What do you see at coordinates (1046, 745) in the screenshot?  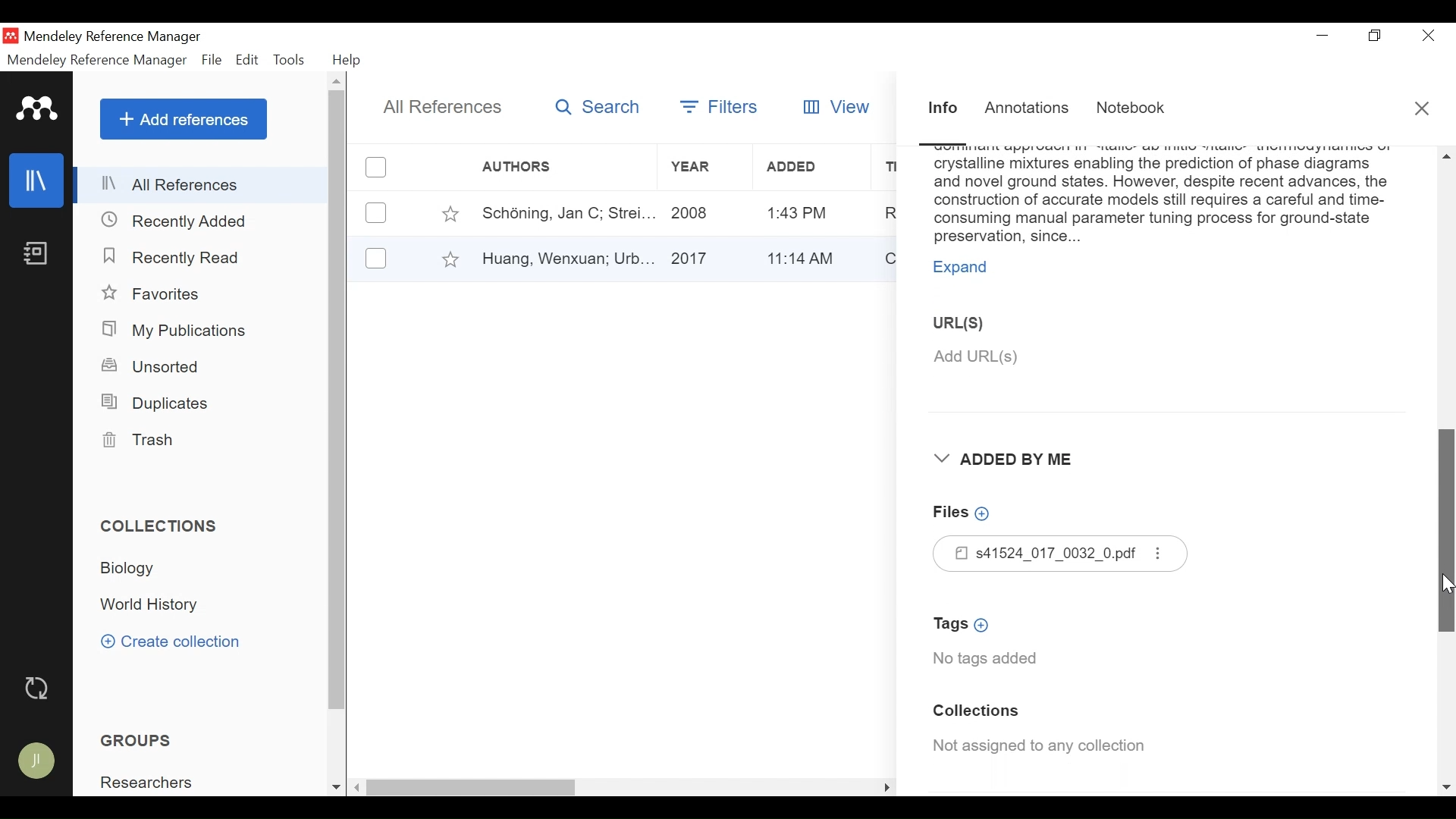 I see `Collection Assigned ` at bounding box center [1046, 745].